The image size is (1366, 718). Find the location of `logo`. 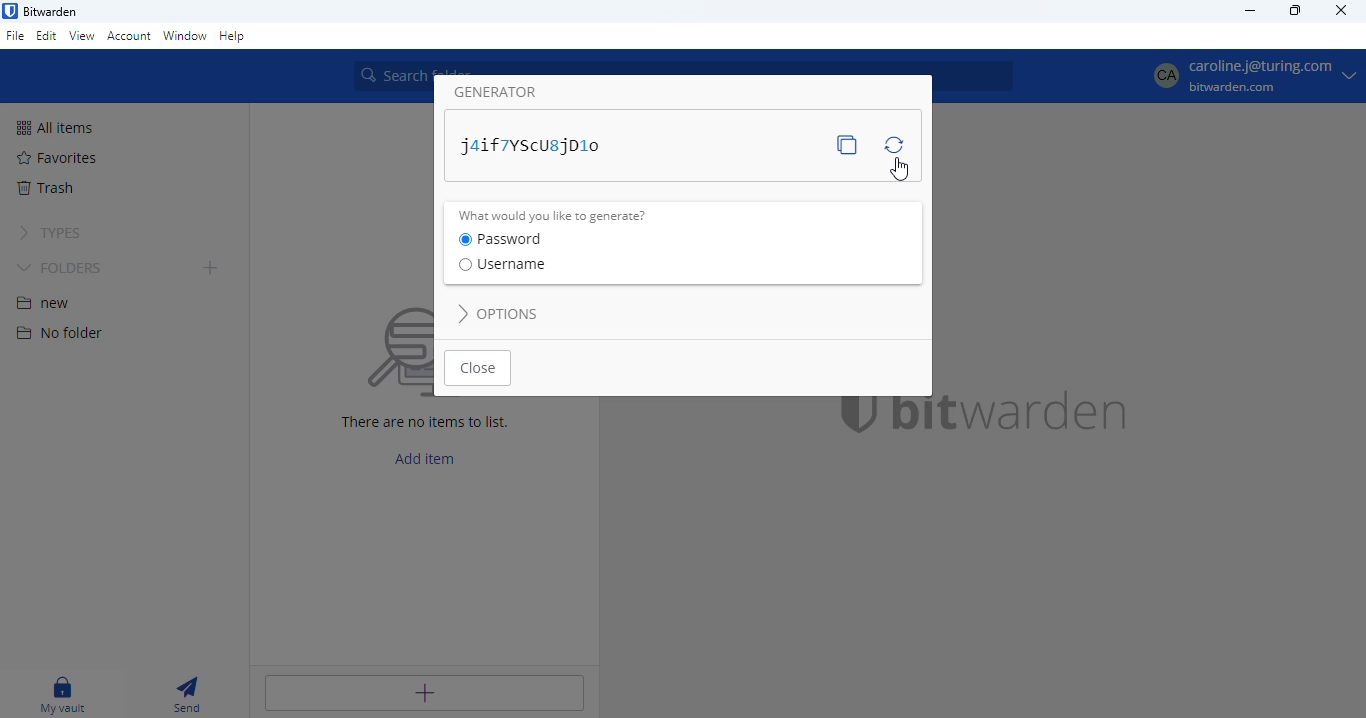

logo is located at coordinates (10, 10).